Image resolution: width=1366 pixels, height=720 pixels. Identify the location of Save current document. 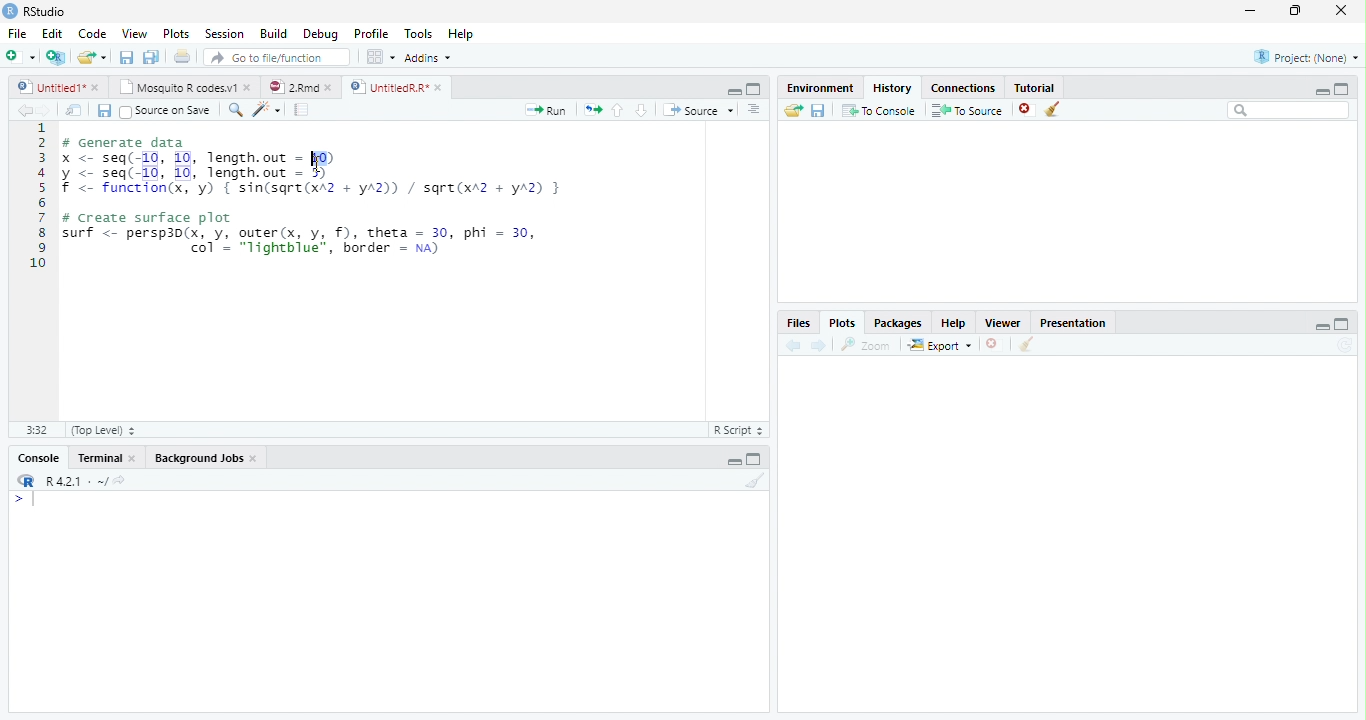
(125, 56).